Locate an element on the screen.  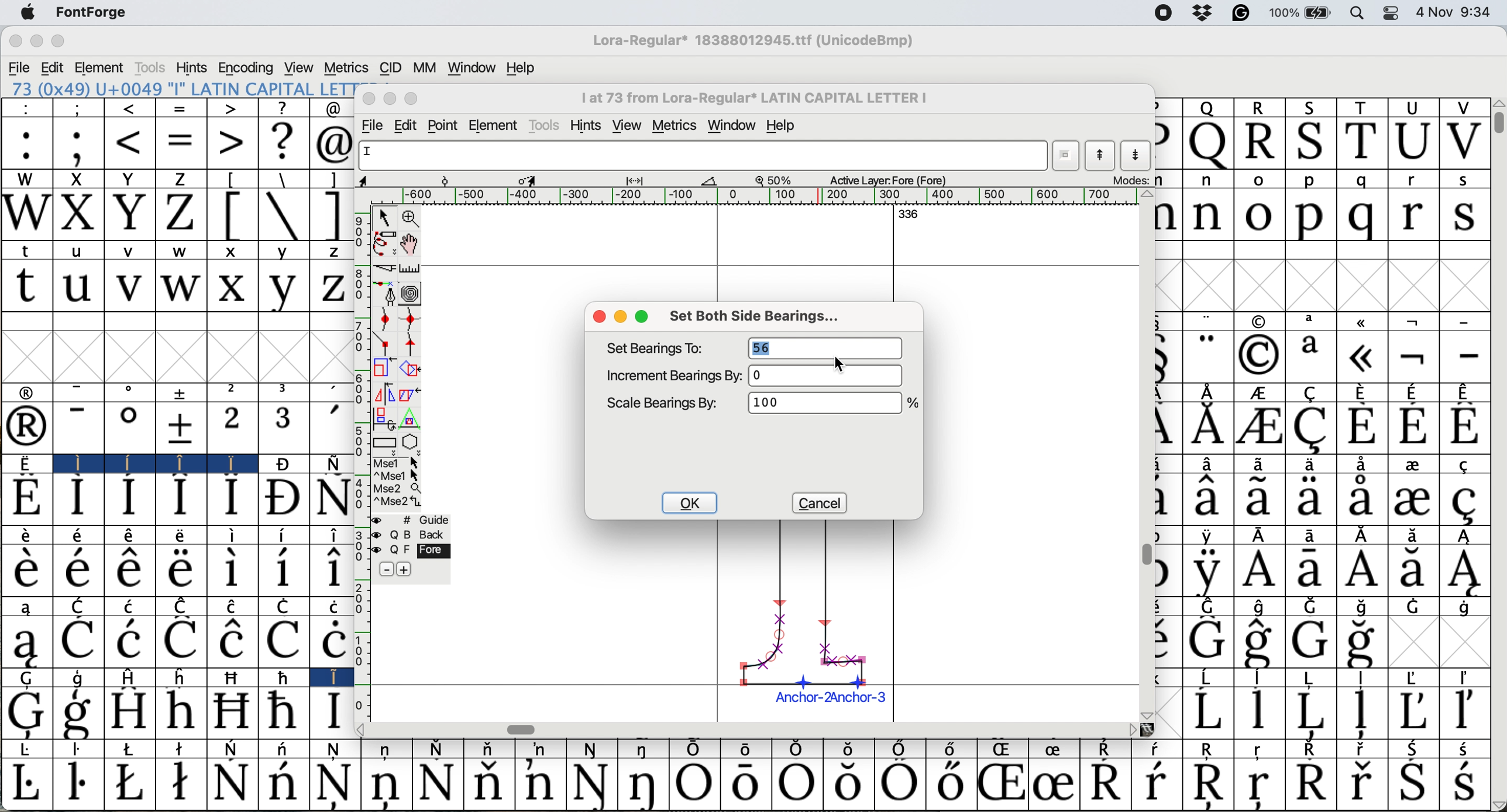
control center is located at coordinates (1393, 14).